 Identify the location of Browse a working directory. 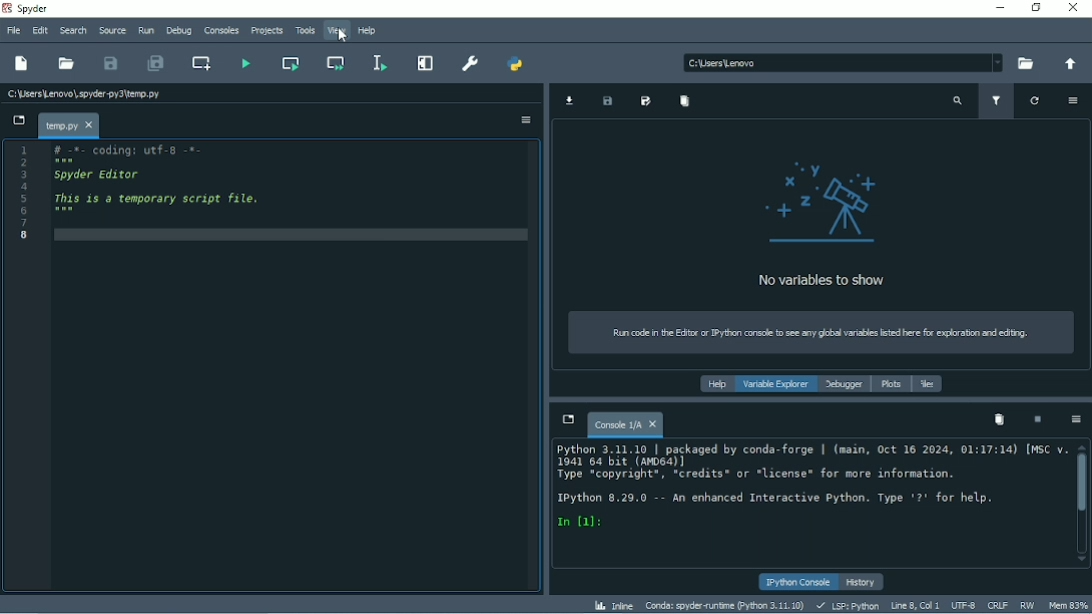
(1022, 64).